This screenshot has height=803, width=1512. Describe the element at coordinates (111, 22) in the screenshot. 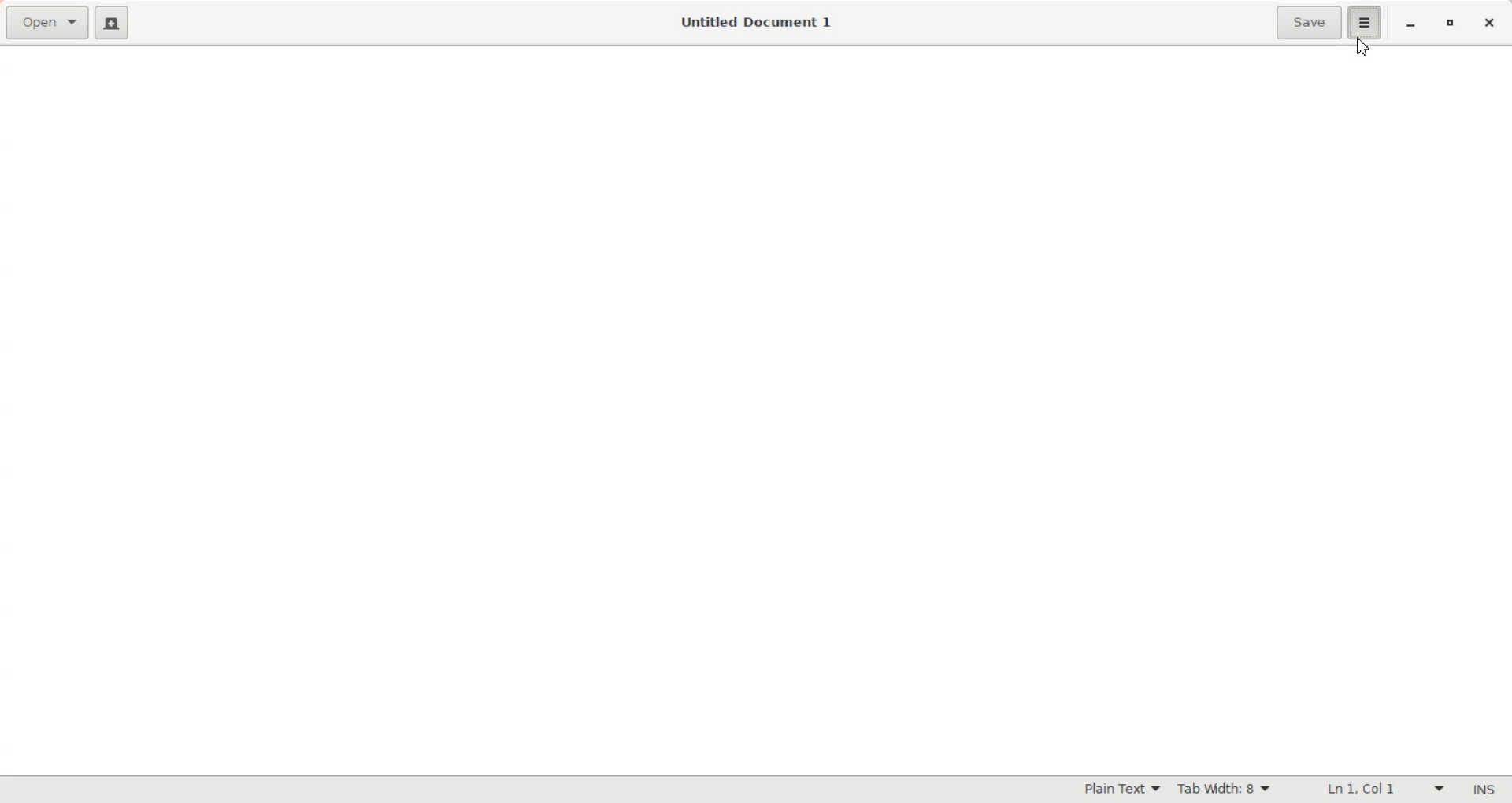

I see `Create a new document` at that location.